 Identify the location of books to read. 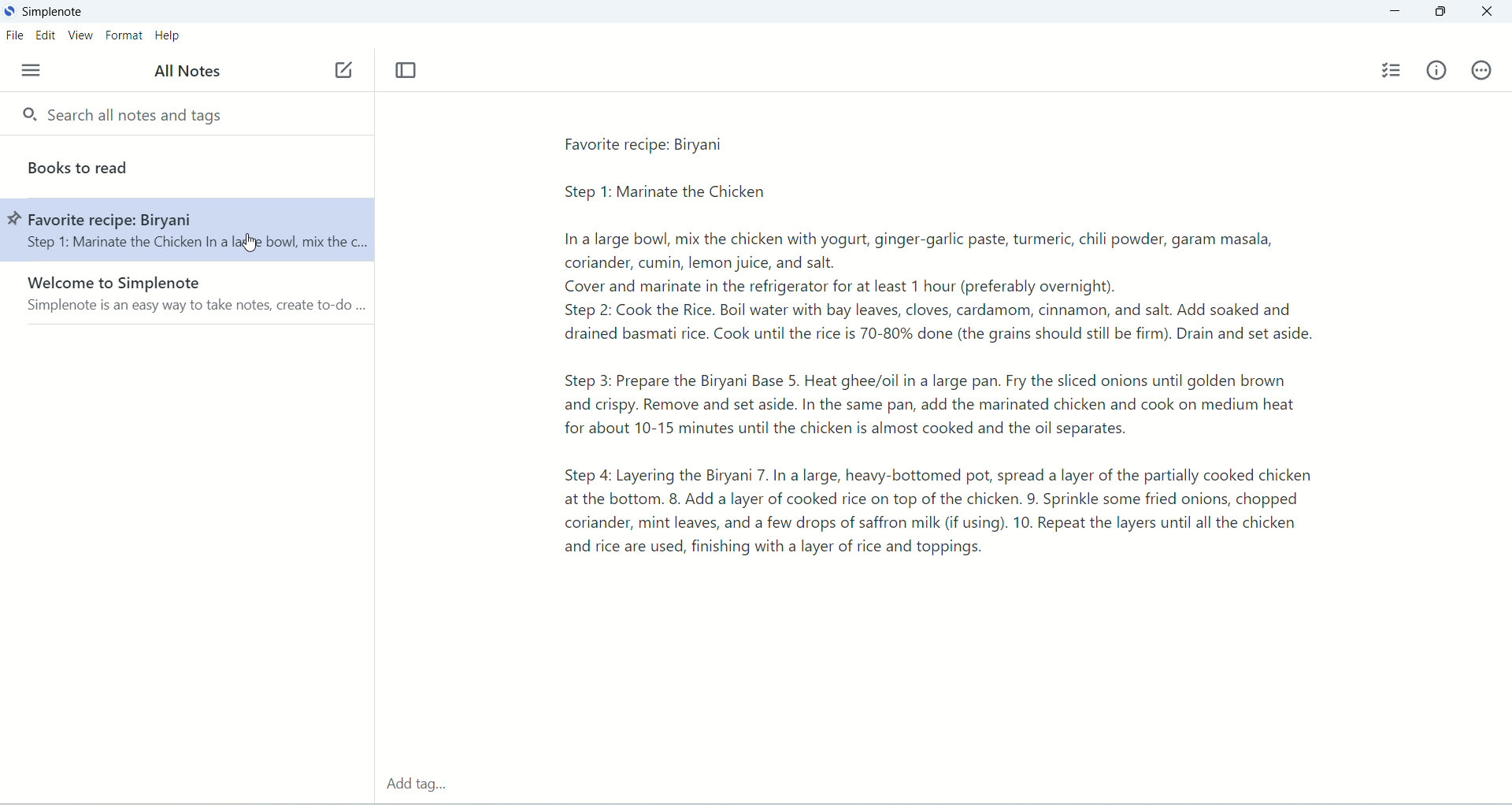
(188, 164).